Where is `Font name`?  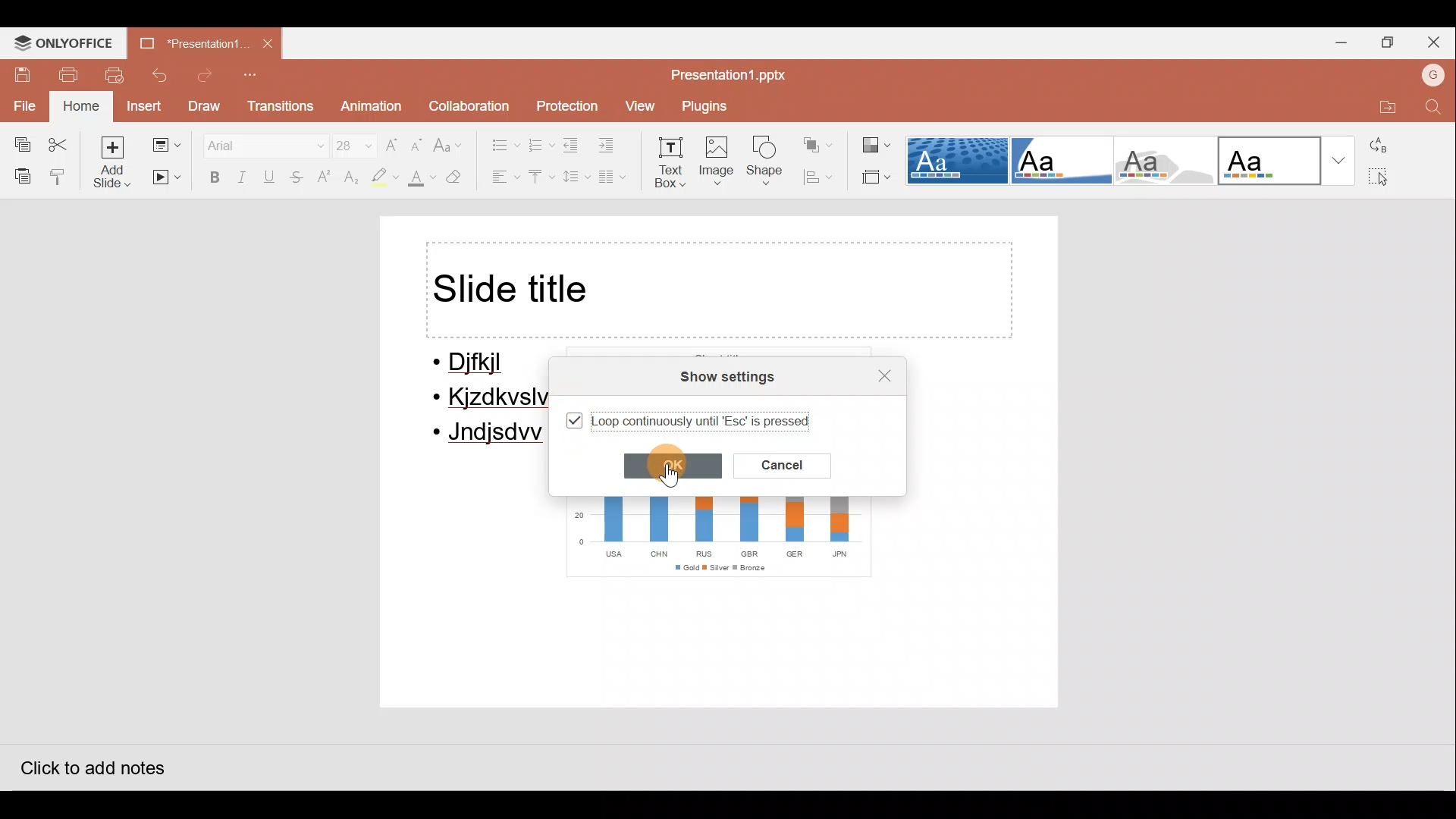 Font name is located at coordinates (262, 143).